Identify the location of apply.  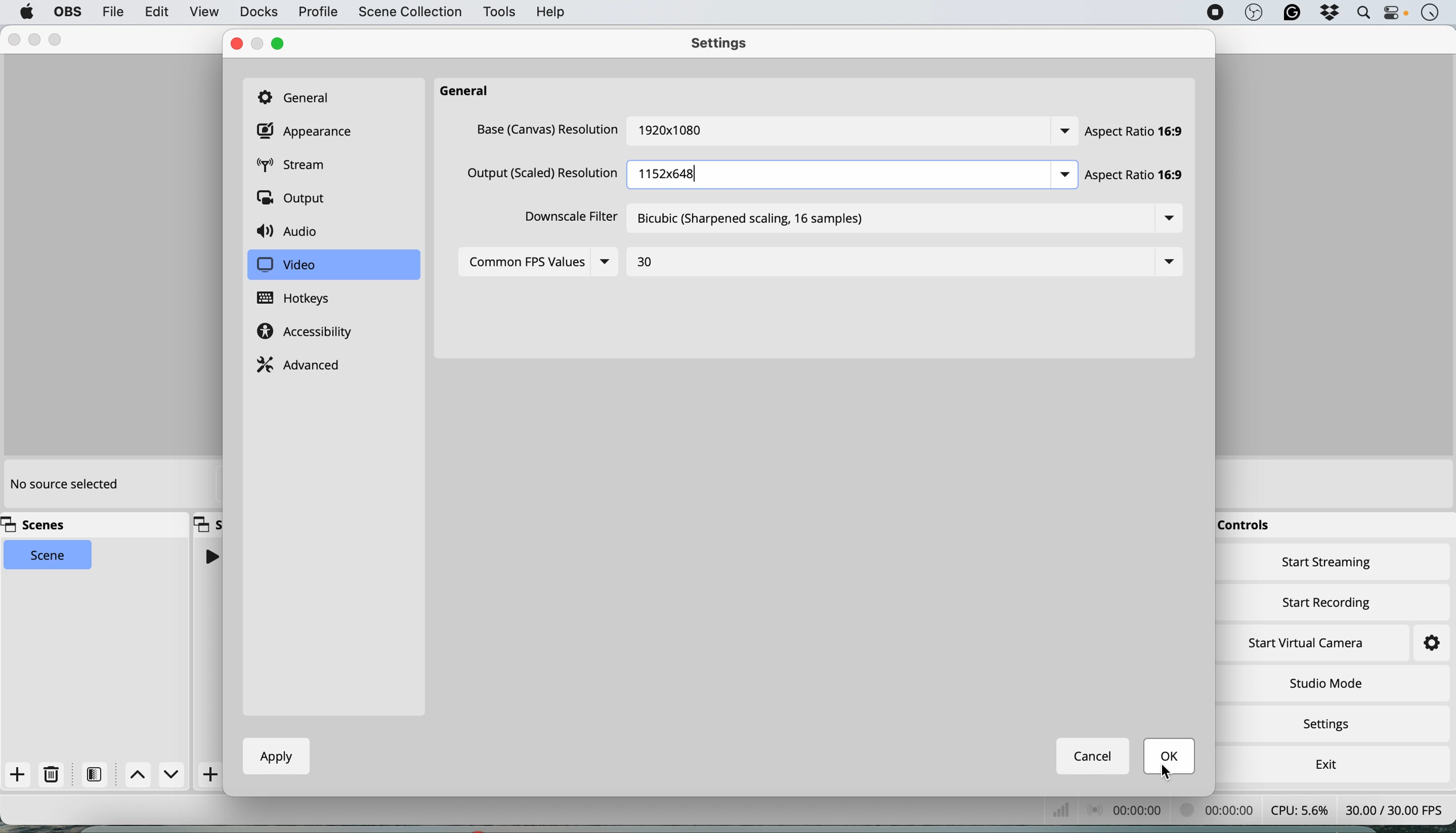
(272, 756).